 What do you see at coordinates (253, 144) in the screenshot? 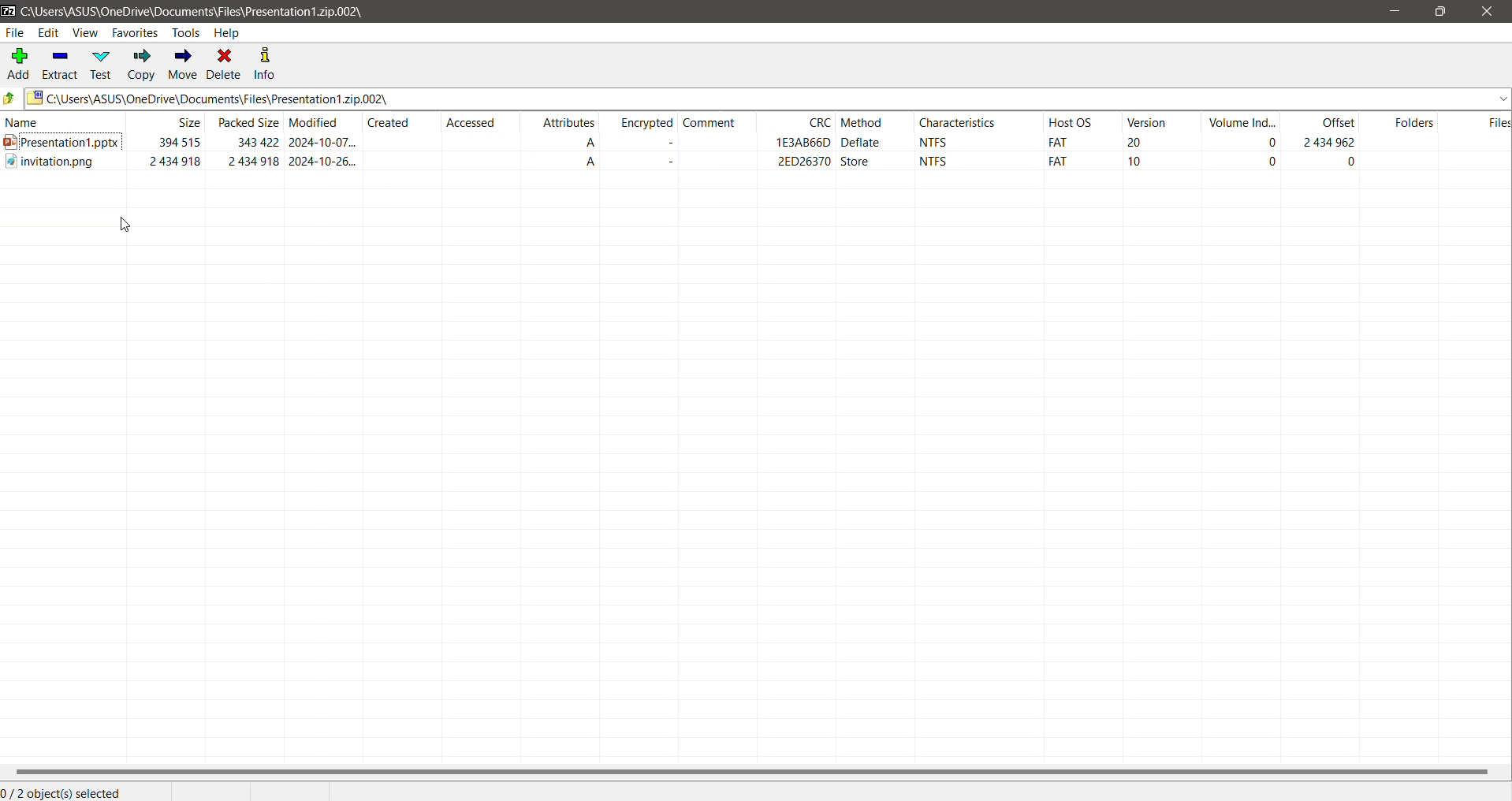
I see `343 422` at bounding box center [253, 144].